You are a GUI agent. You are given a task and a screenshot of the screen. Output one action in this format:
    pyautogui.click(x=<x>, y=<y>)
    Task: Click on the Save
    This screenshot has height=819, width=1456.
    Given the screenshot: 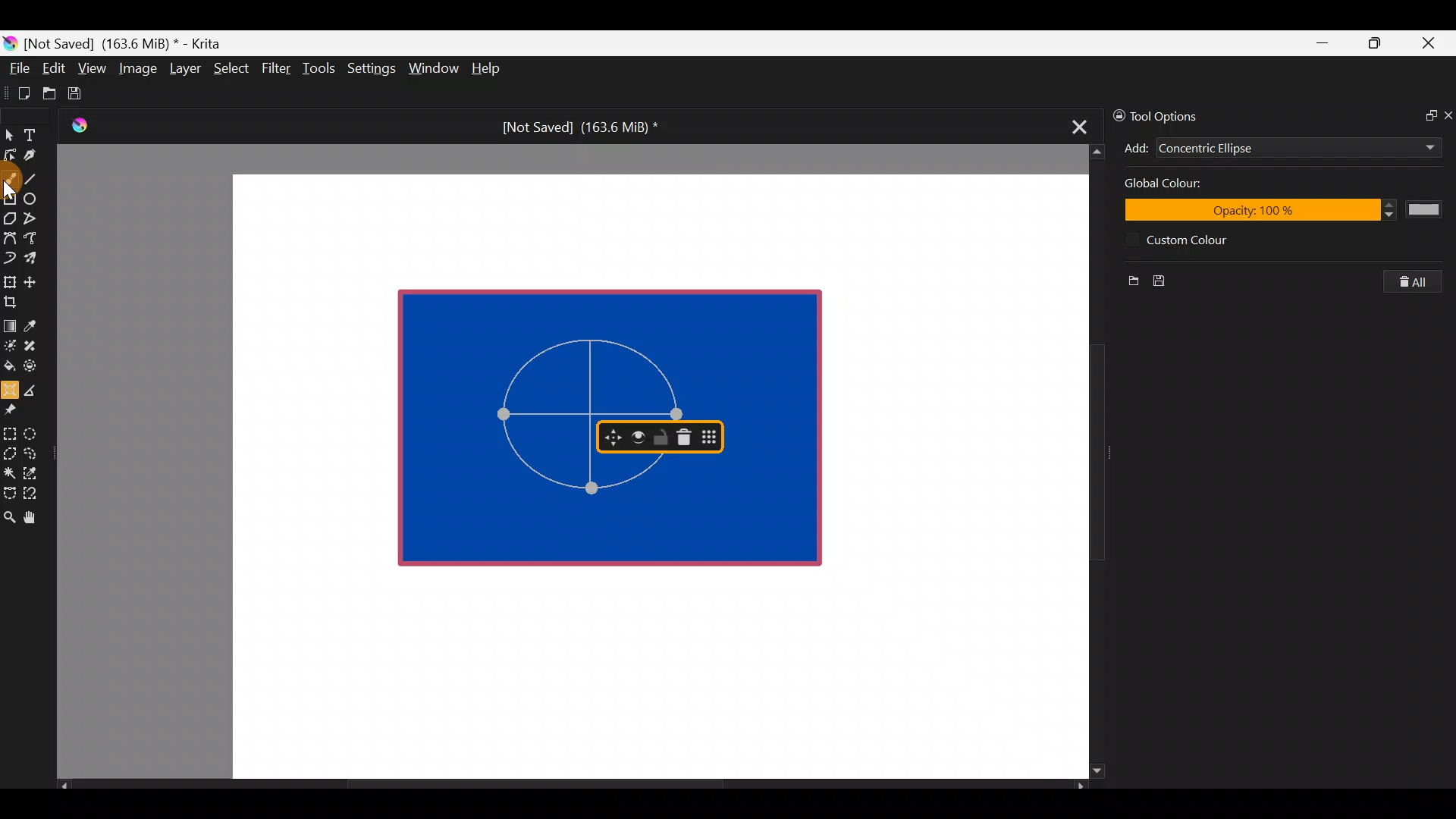 What is the action you would take?
    pyautogui.click(x=1164, y=279)
    